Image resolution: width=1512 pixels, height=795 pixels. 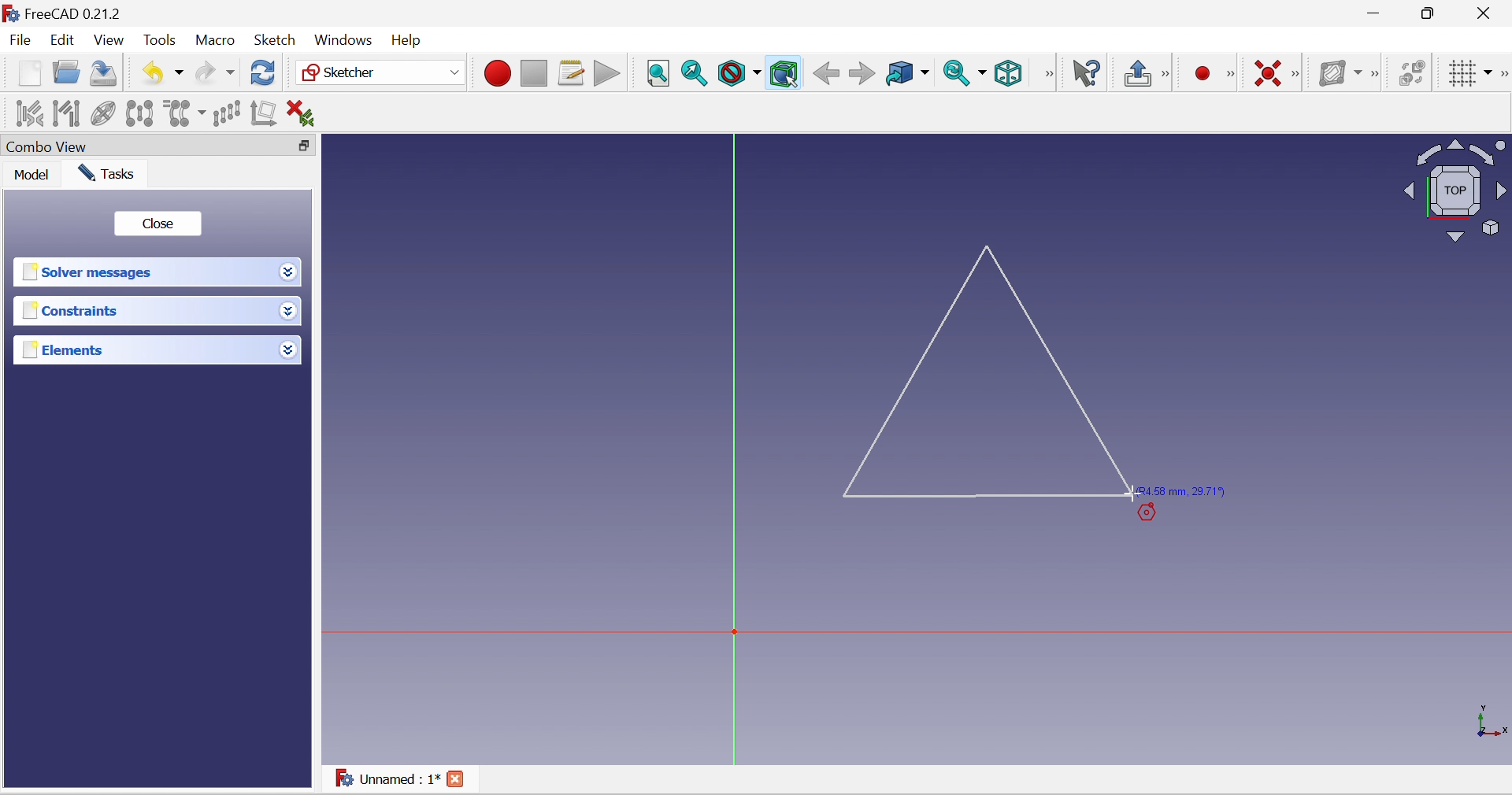 What do you see at coordinates (1084, 73) in the screenshot?
I see `What's this?` at bounding box center [1084, 73].